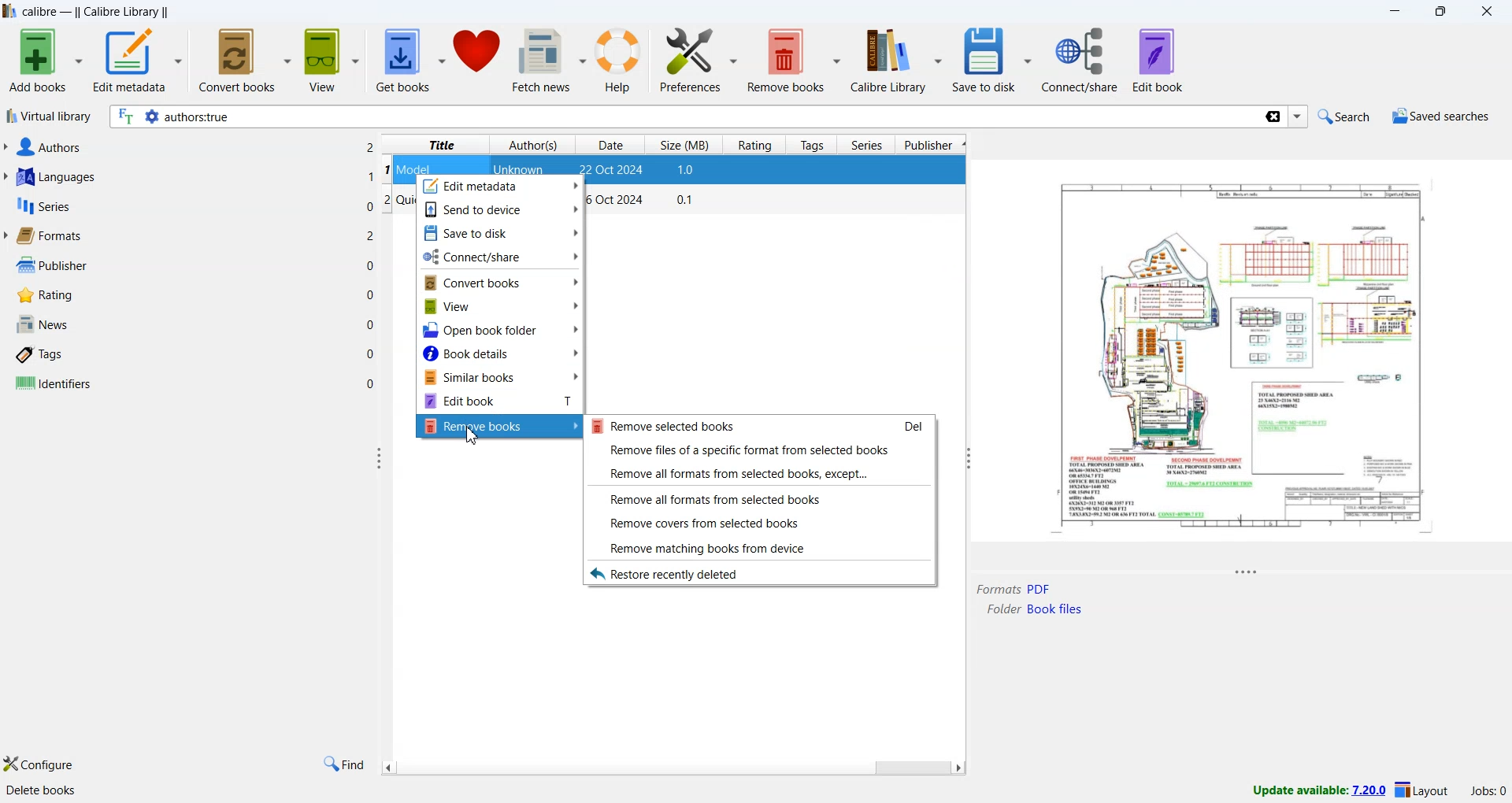 The height and width of the screenshot is (803, 1512). I want to click on change layout, so click(1421, 793).